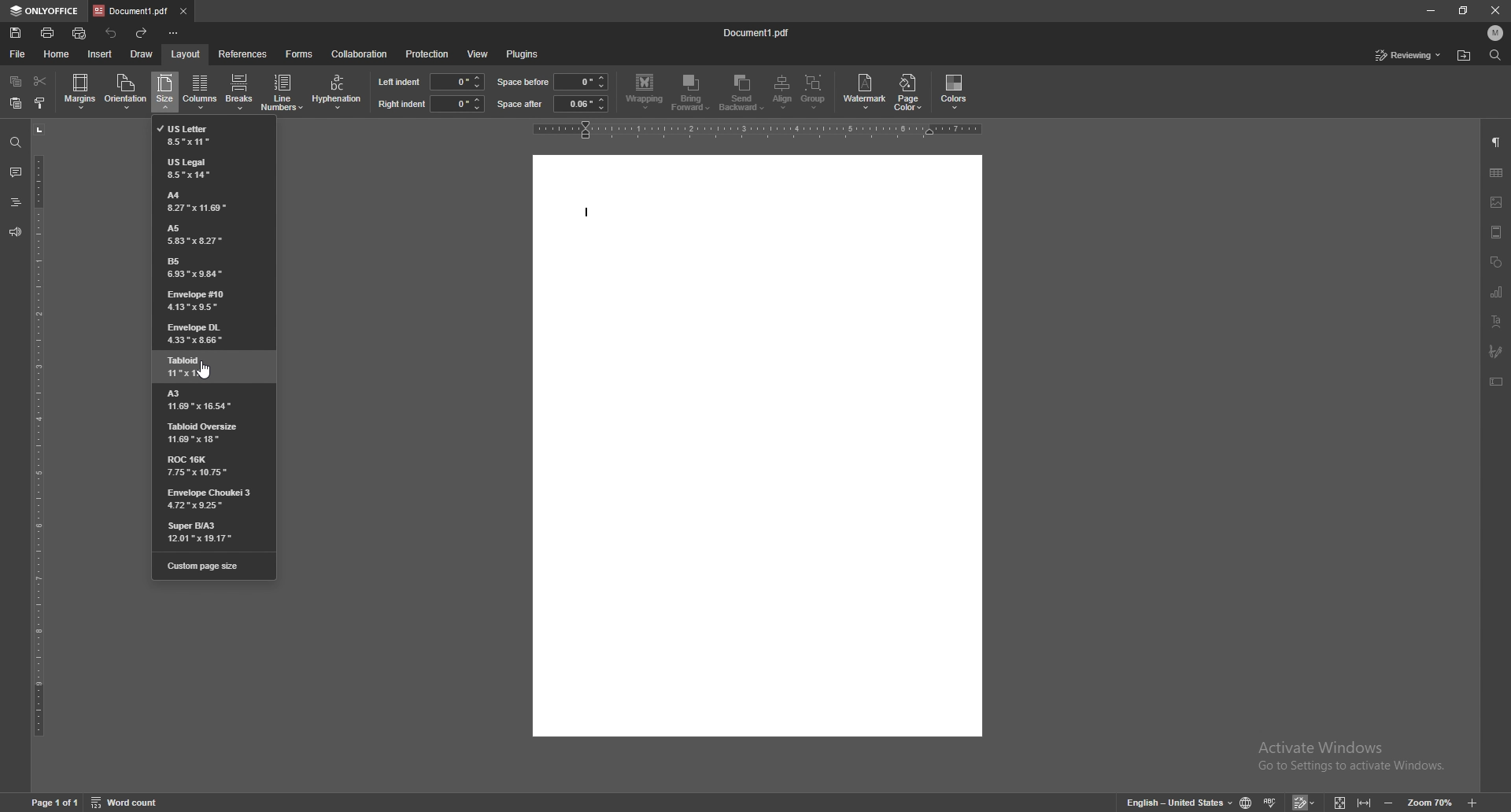 The image size is (1511, 812). What do you see at coordinates (216, 168) in the screenshot?
I see `us legal` at bounding box center [216, 168].